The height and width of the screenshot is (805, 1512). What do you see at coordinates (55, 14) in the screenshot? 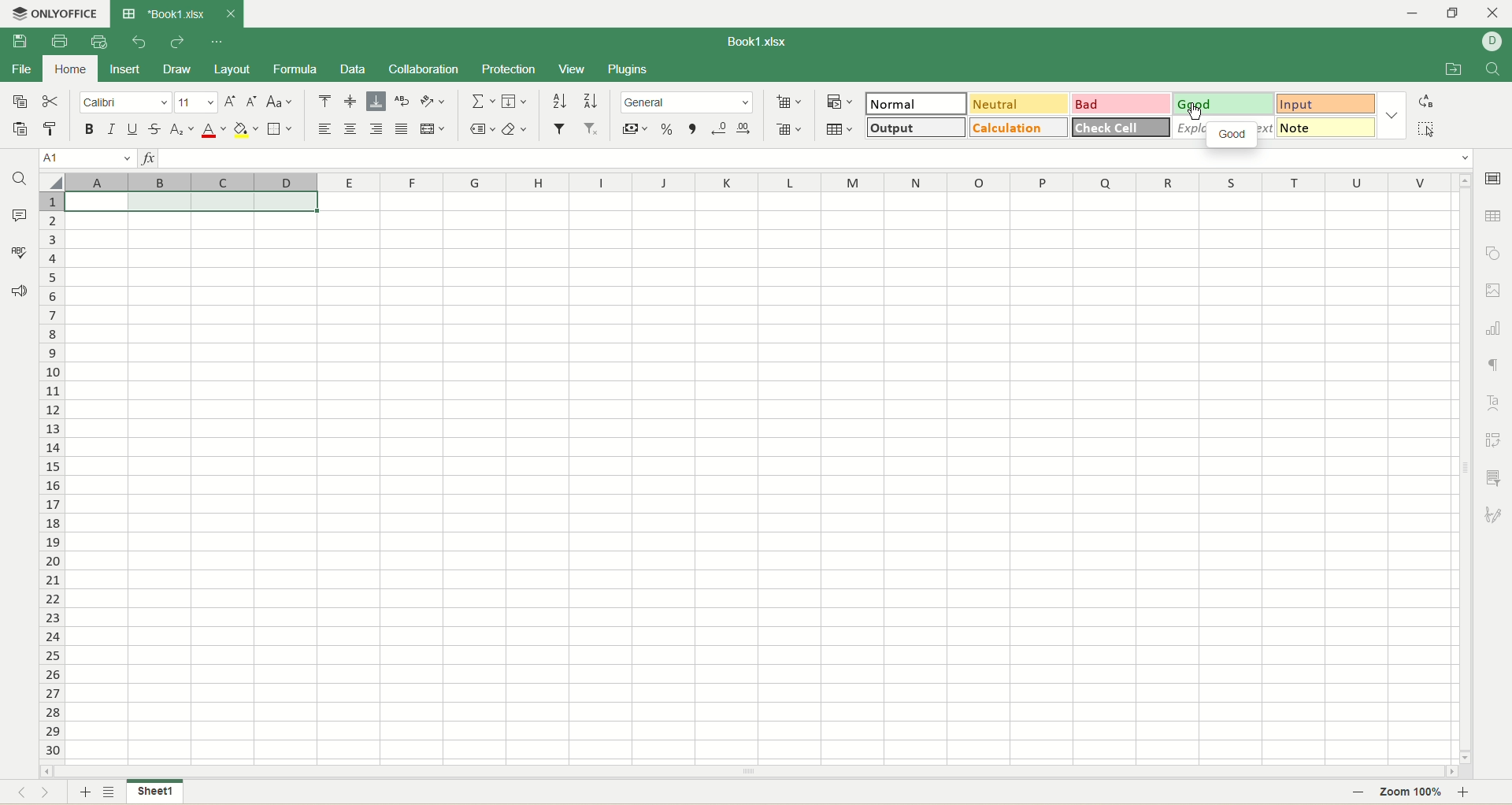
I see `onlyoffice` at bounding box center [55, 14].